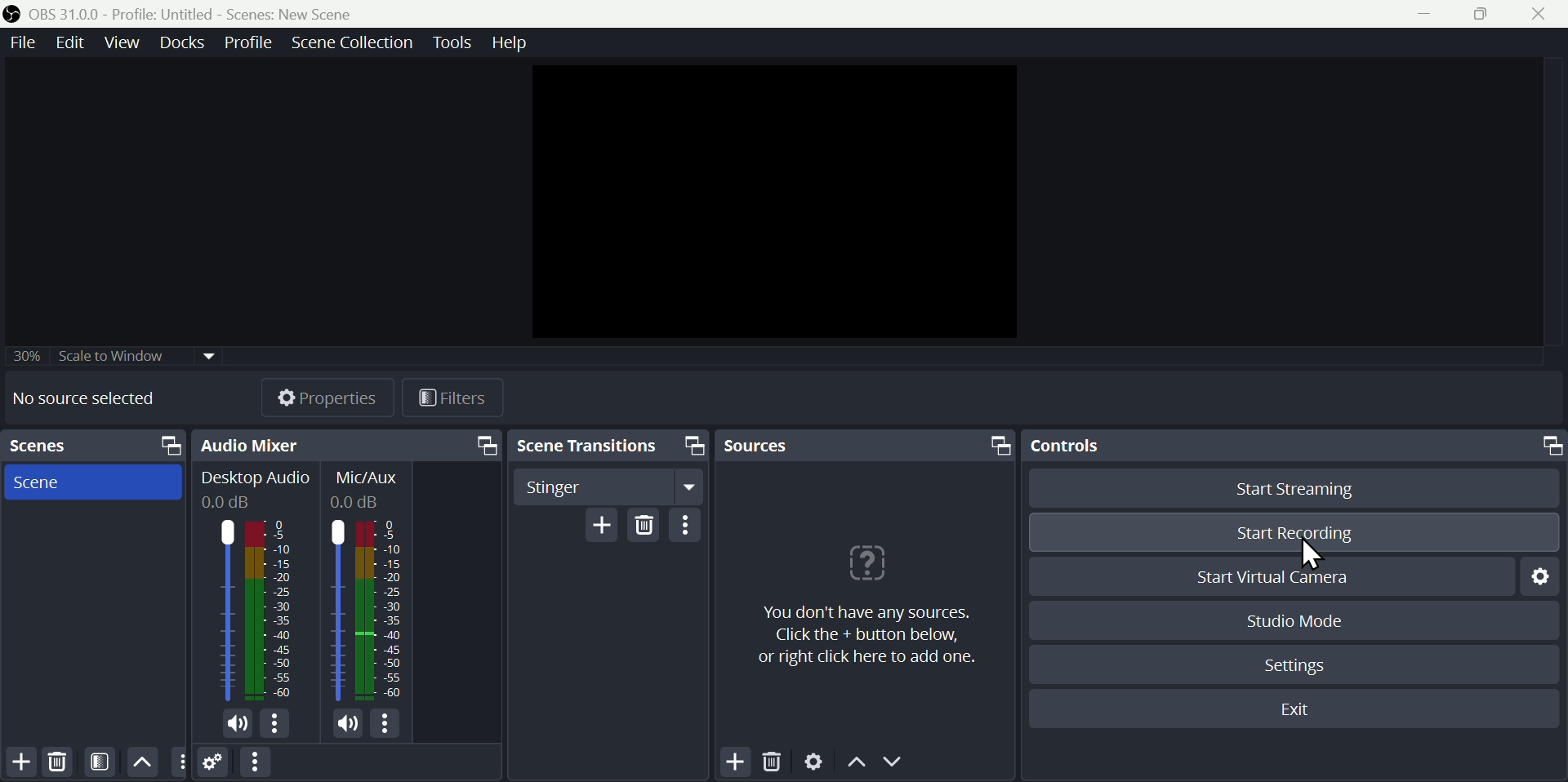  What do you see at coordinates (372, 586) in the screenshot?
I see `Mic/Aux` at bounding box center [372, 586].